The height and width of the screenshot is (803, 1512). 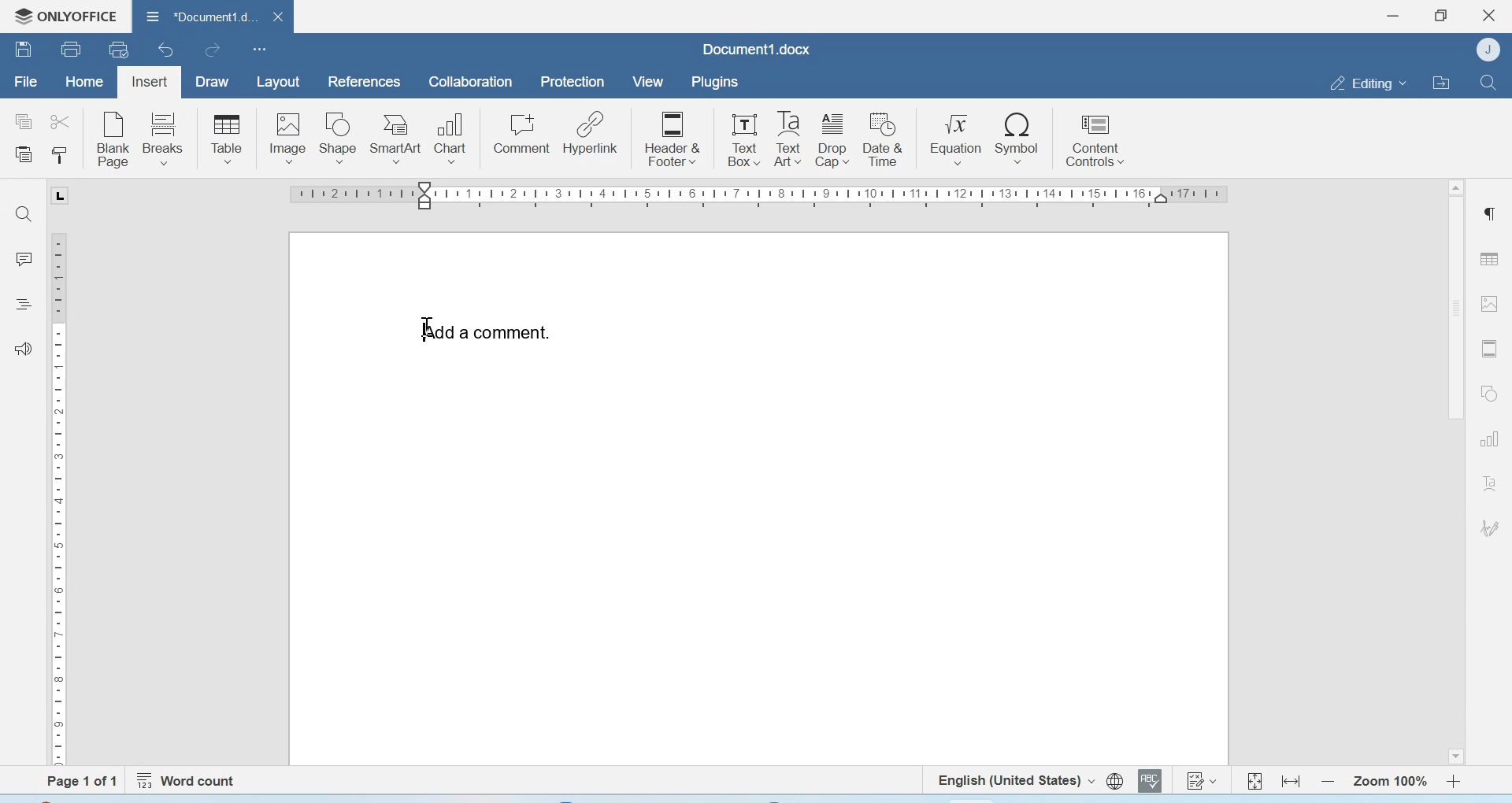 What do you see at coordinates (764, 196) in the screenshot?
I see `Scale` at bounding box center [764, 196].